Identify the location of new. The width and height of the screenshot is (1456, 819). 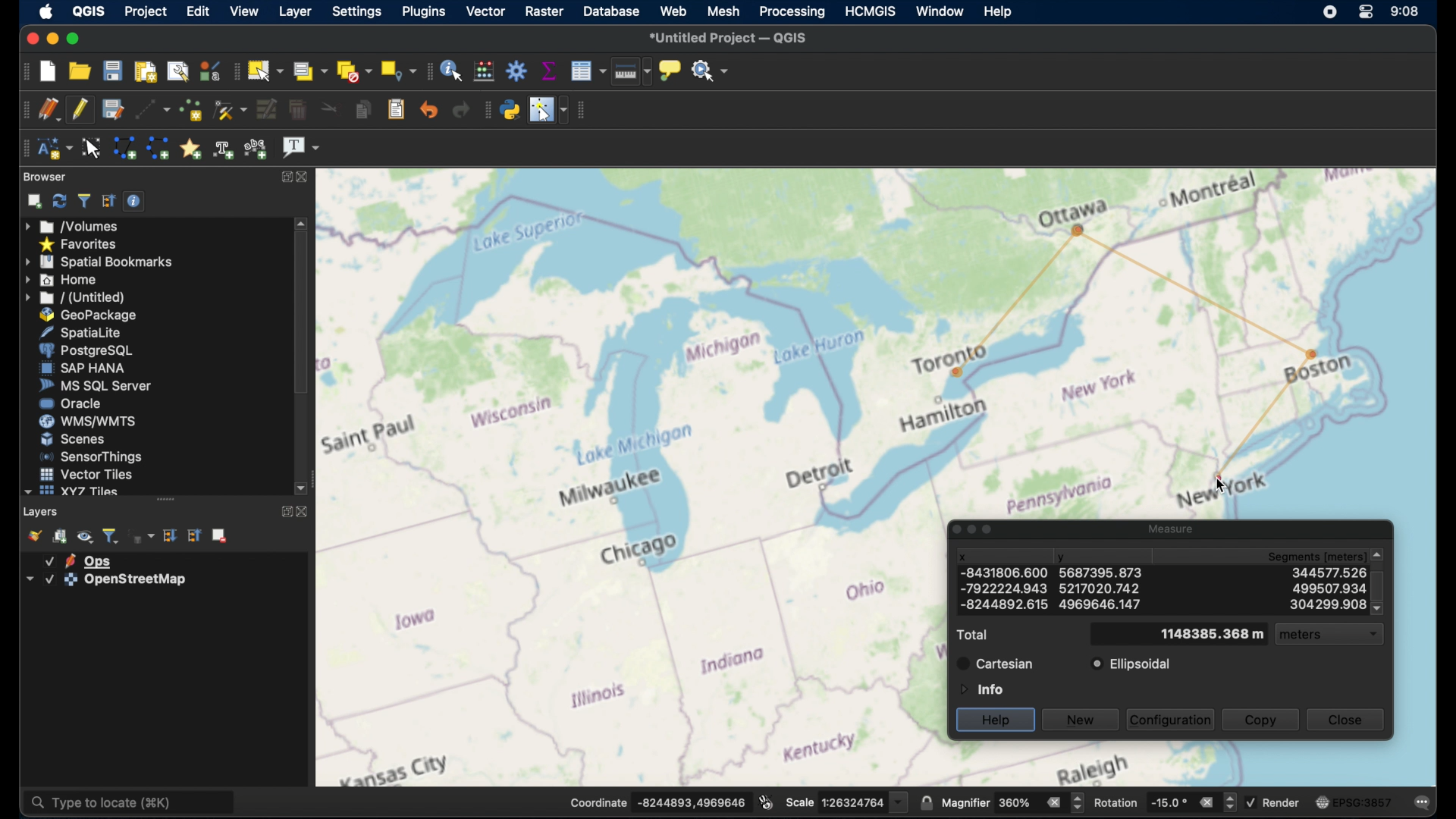
(1082, 718).